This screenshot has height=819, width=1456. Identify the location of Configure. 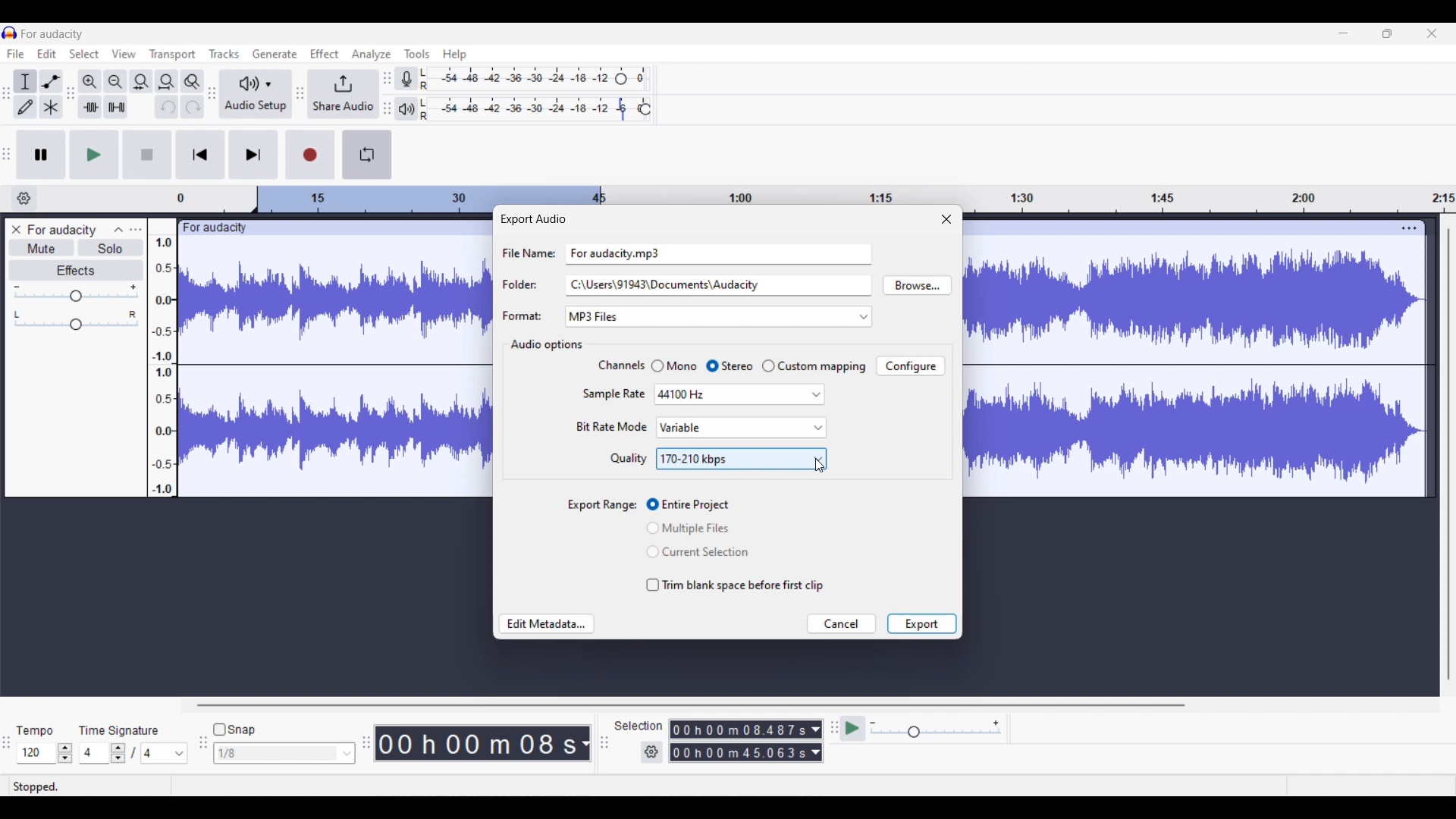
(910, 366).